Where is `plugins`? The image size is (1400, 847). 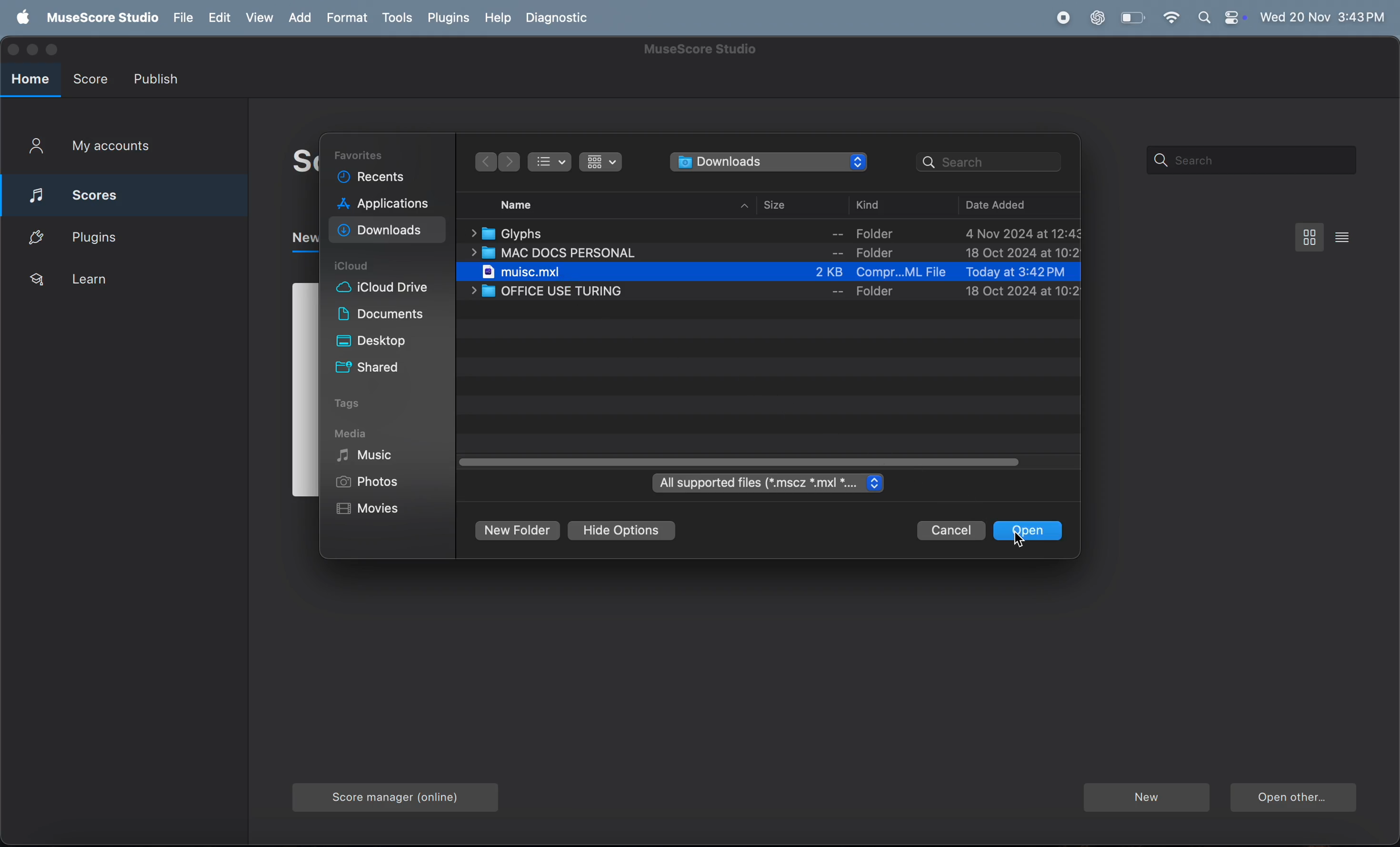
plugins is located at coordinates (450, 19).